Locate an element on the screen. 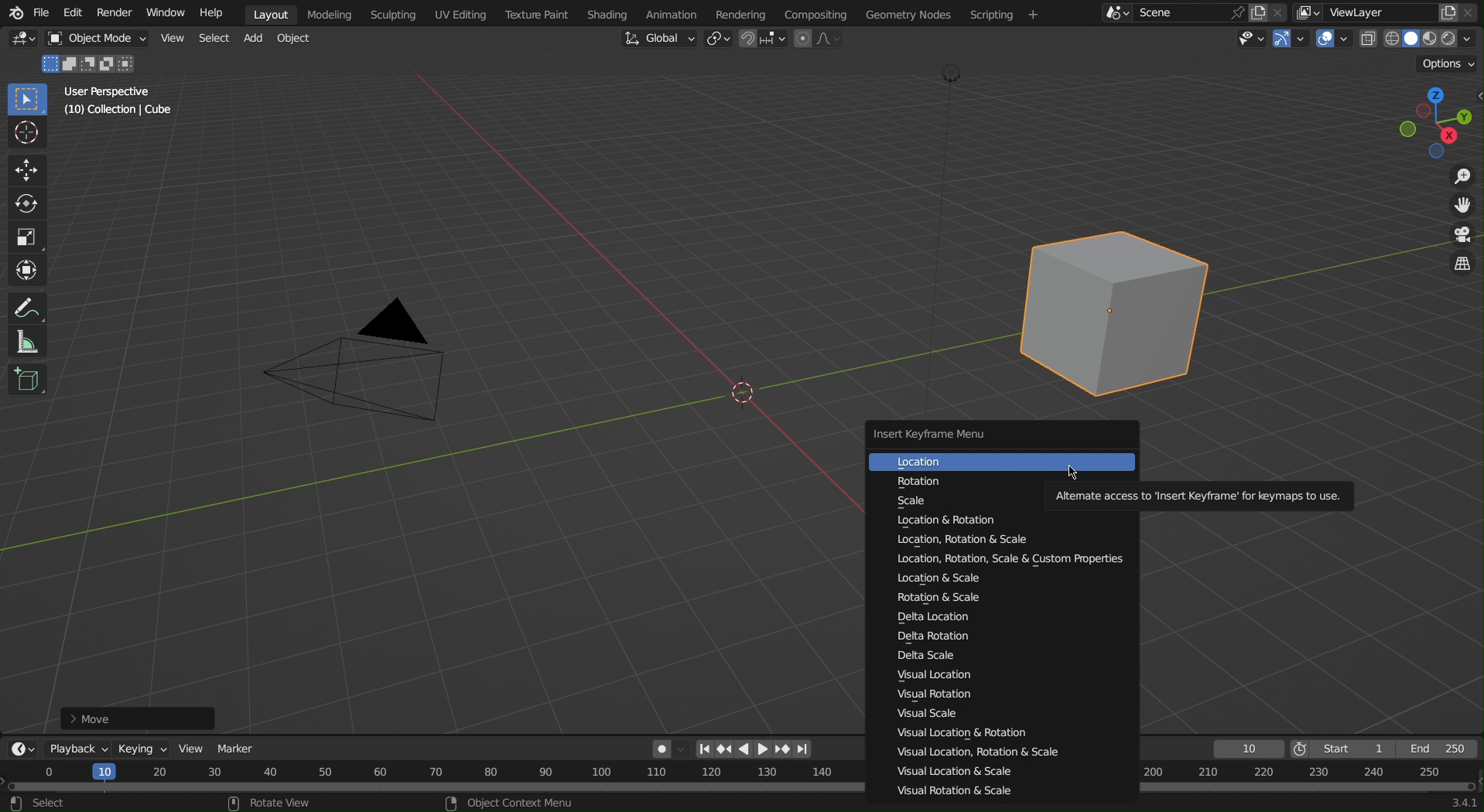 This screenshot has width=1484, height=812. Snapping is located at coordinates (764, 39).